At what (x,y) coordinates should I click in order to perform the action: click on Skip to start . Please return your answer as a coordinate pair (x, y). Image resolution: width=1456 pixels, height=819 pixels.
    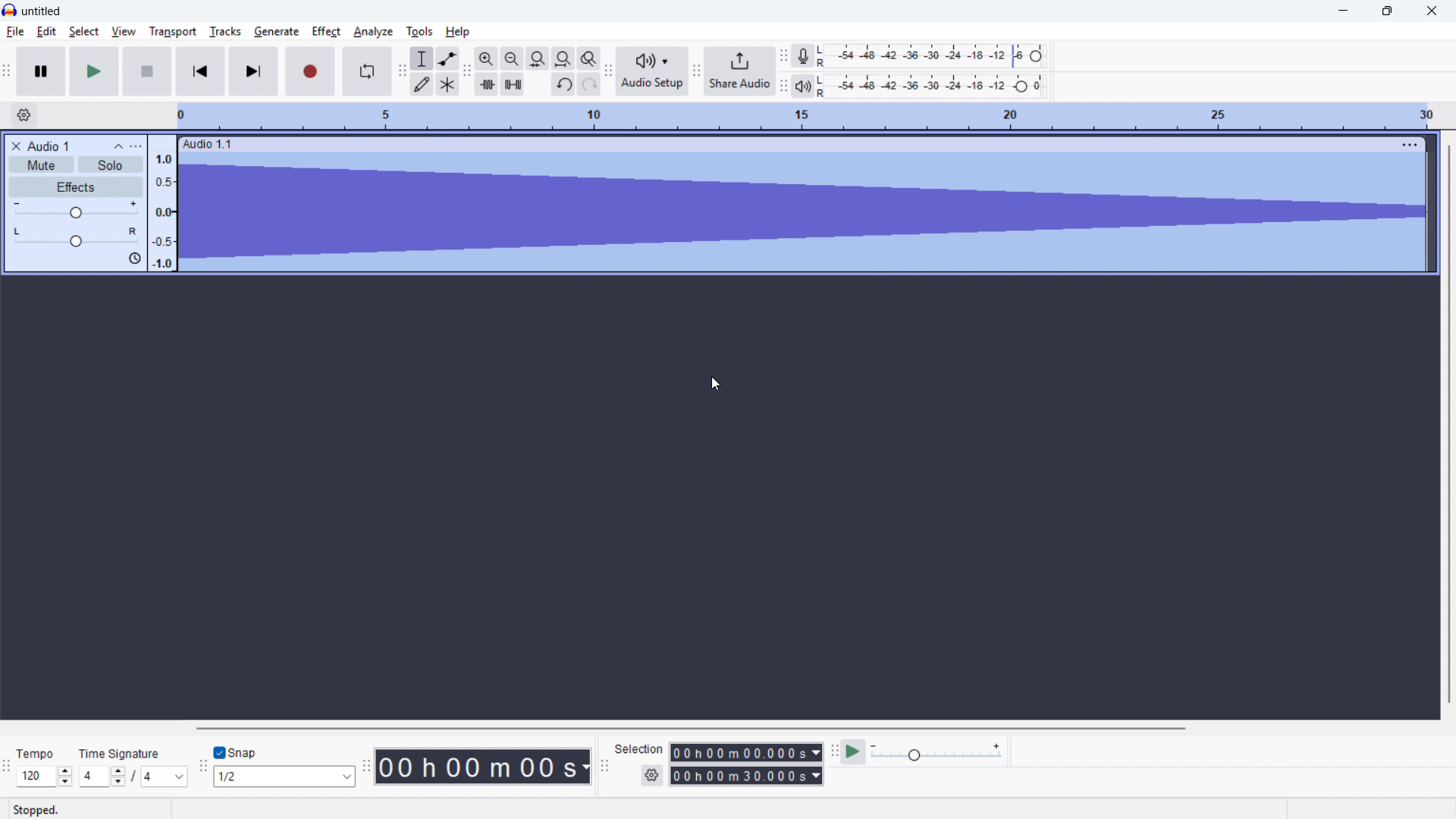
    Looking at the image, I should click on (200, 71).